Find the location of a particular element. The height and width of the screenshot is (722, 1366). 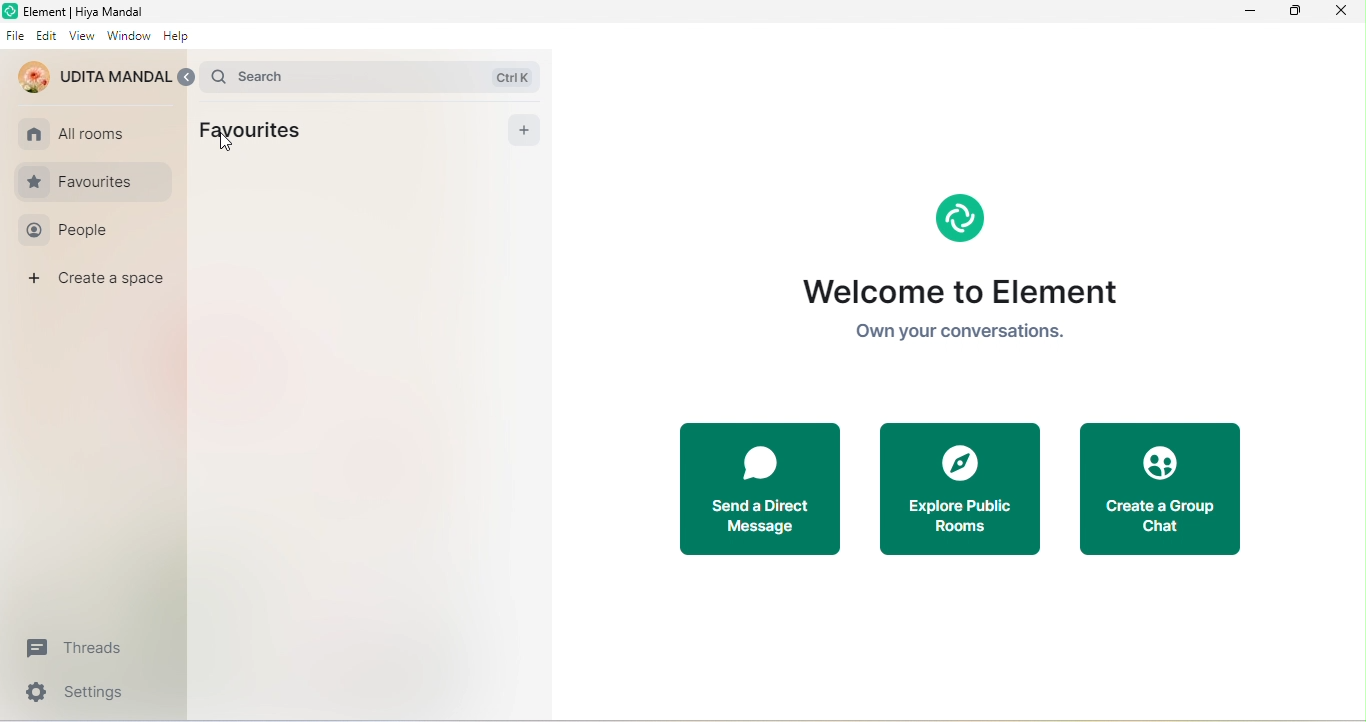

cursor is located at coordinates (223, 146).